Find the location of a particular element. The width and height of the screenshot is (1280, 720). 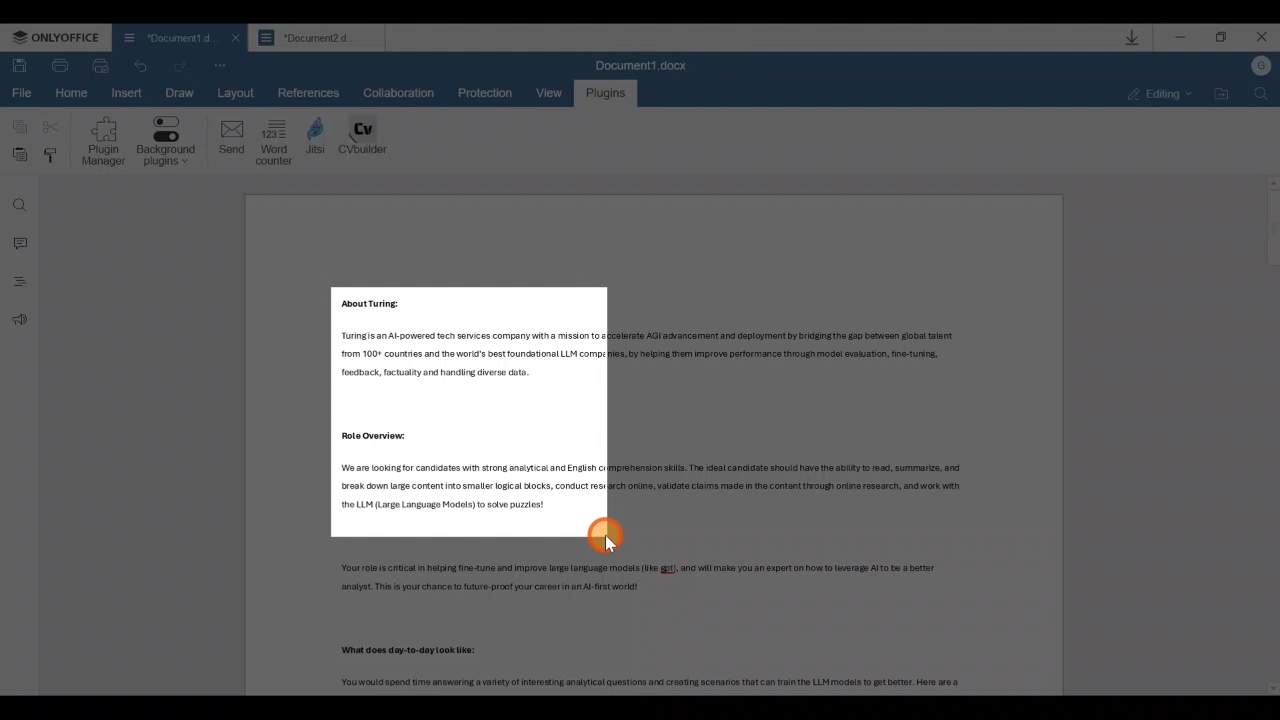

Undo is located at coordinates (181, 62).